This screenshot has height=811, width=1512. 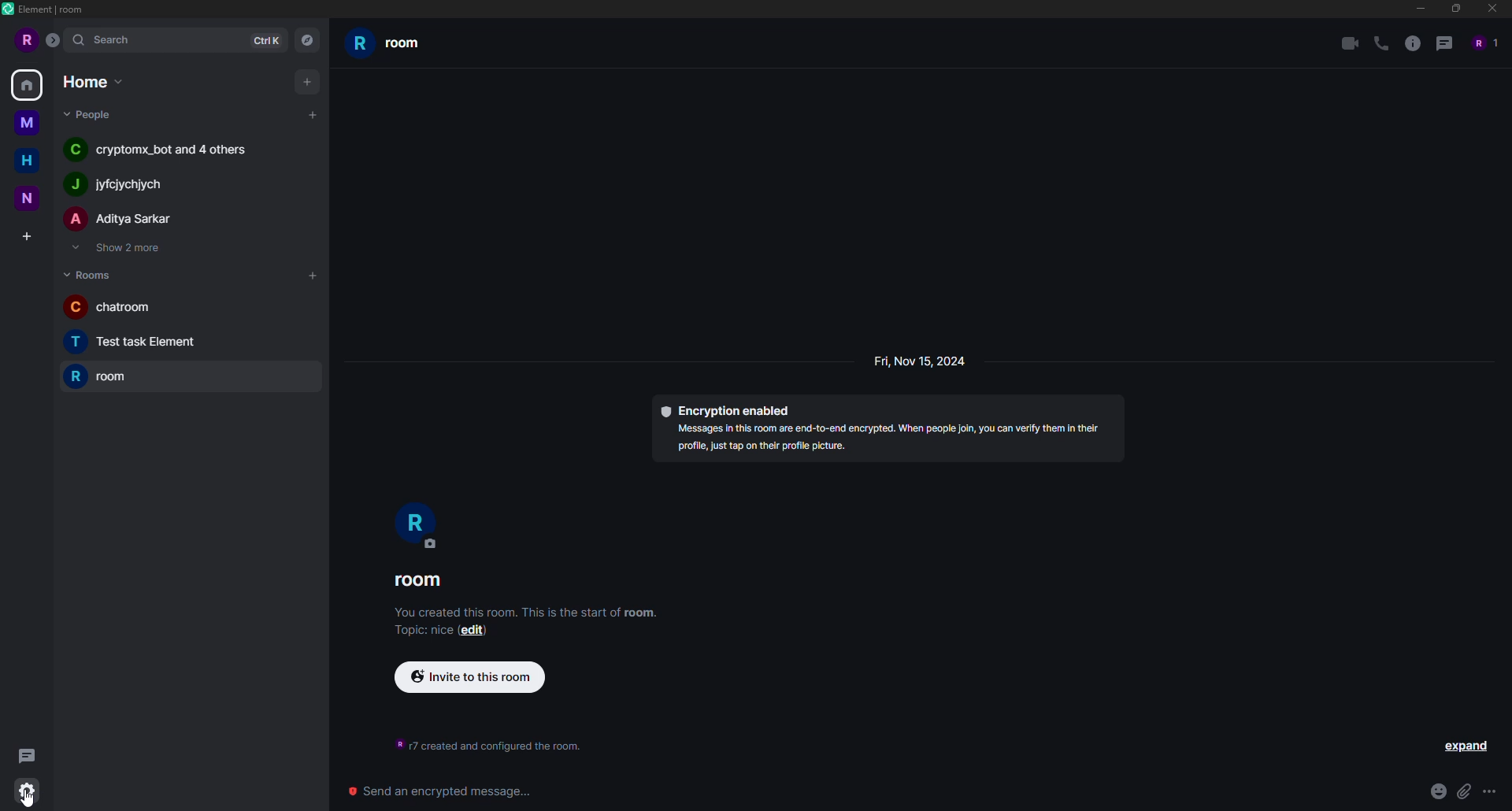 I want to click on add, so click(x=313, y=113).